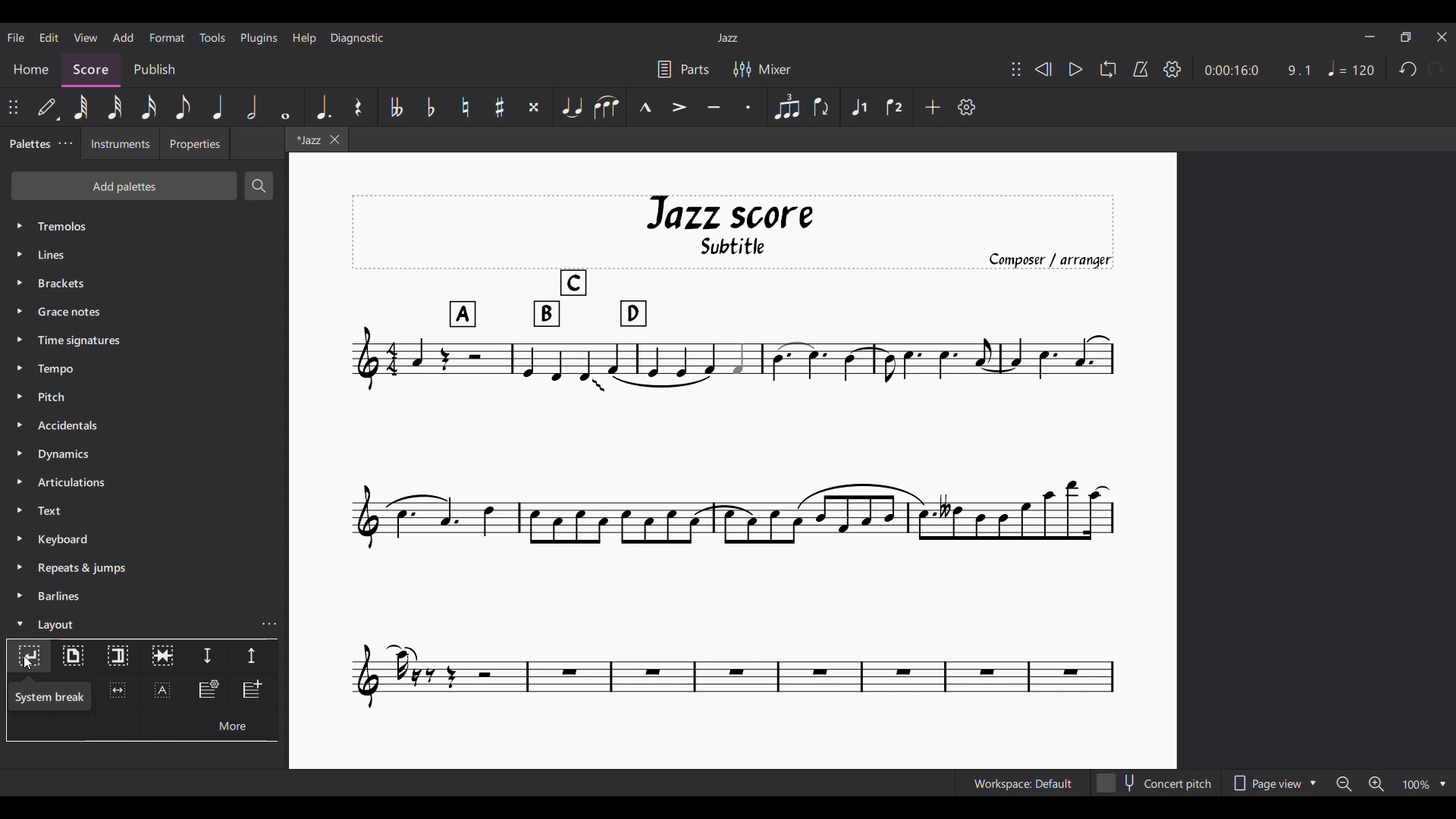  What do you see at coordinates (1172, 70) in the screenshot?
I see `Settings` at bounding box center [1172, 70].